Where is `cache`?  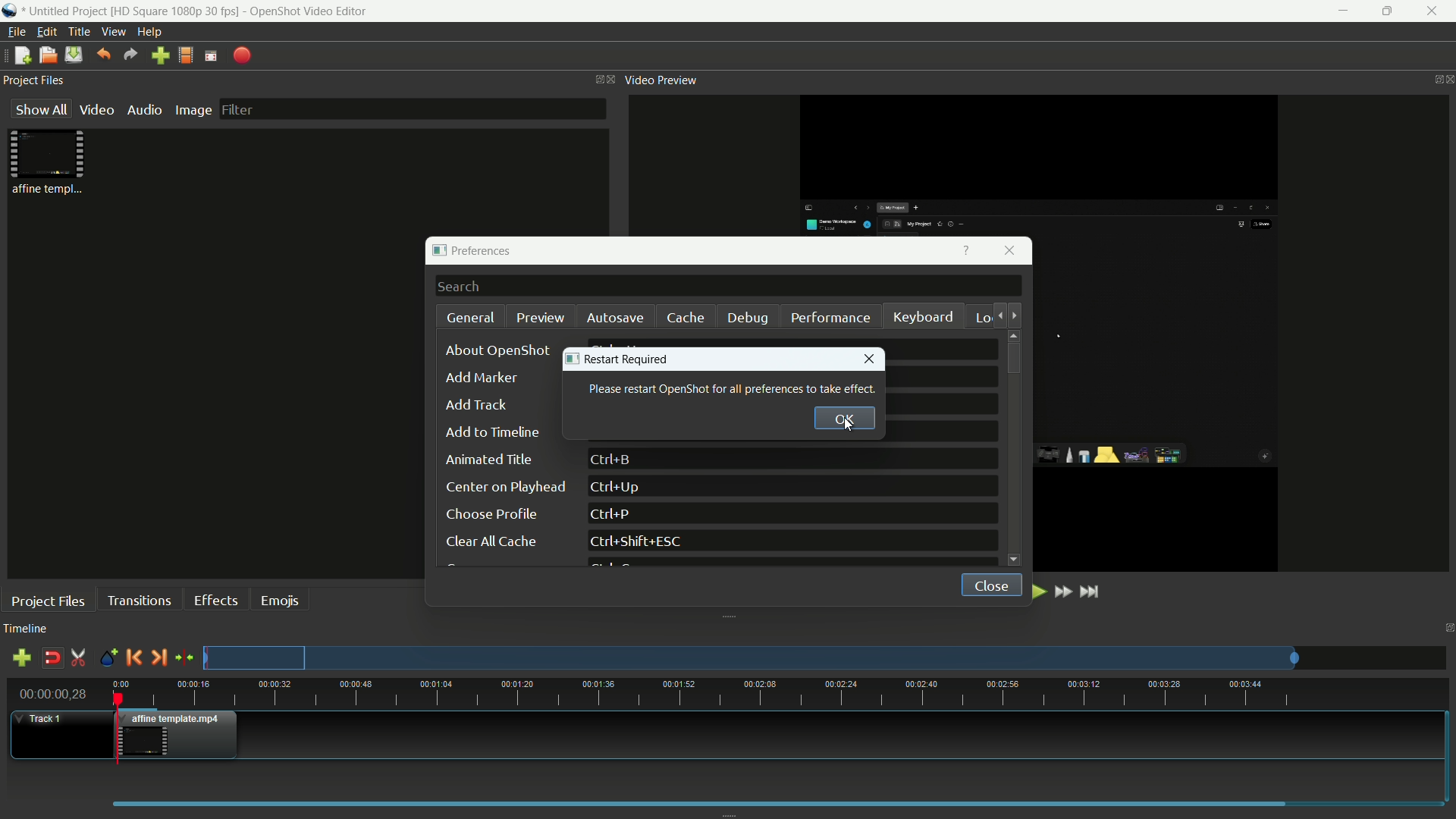
cache is located at coordinates (686, 318).